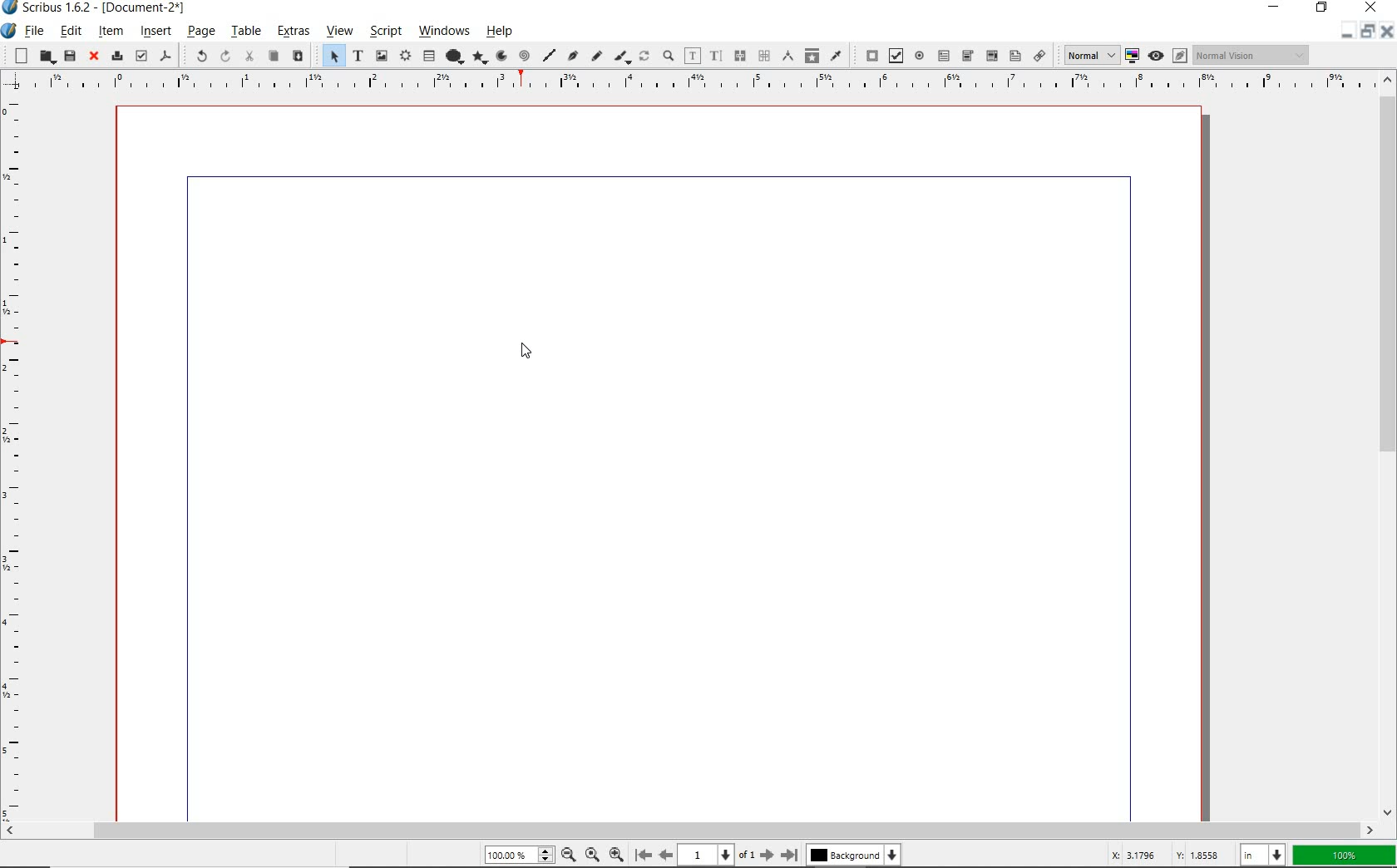  What do you see at coordinates (44, 57) in the screenshot?
I see `open` at bounding box center [44, 57].